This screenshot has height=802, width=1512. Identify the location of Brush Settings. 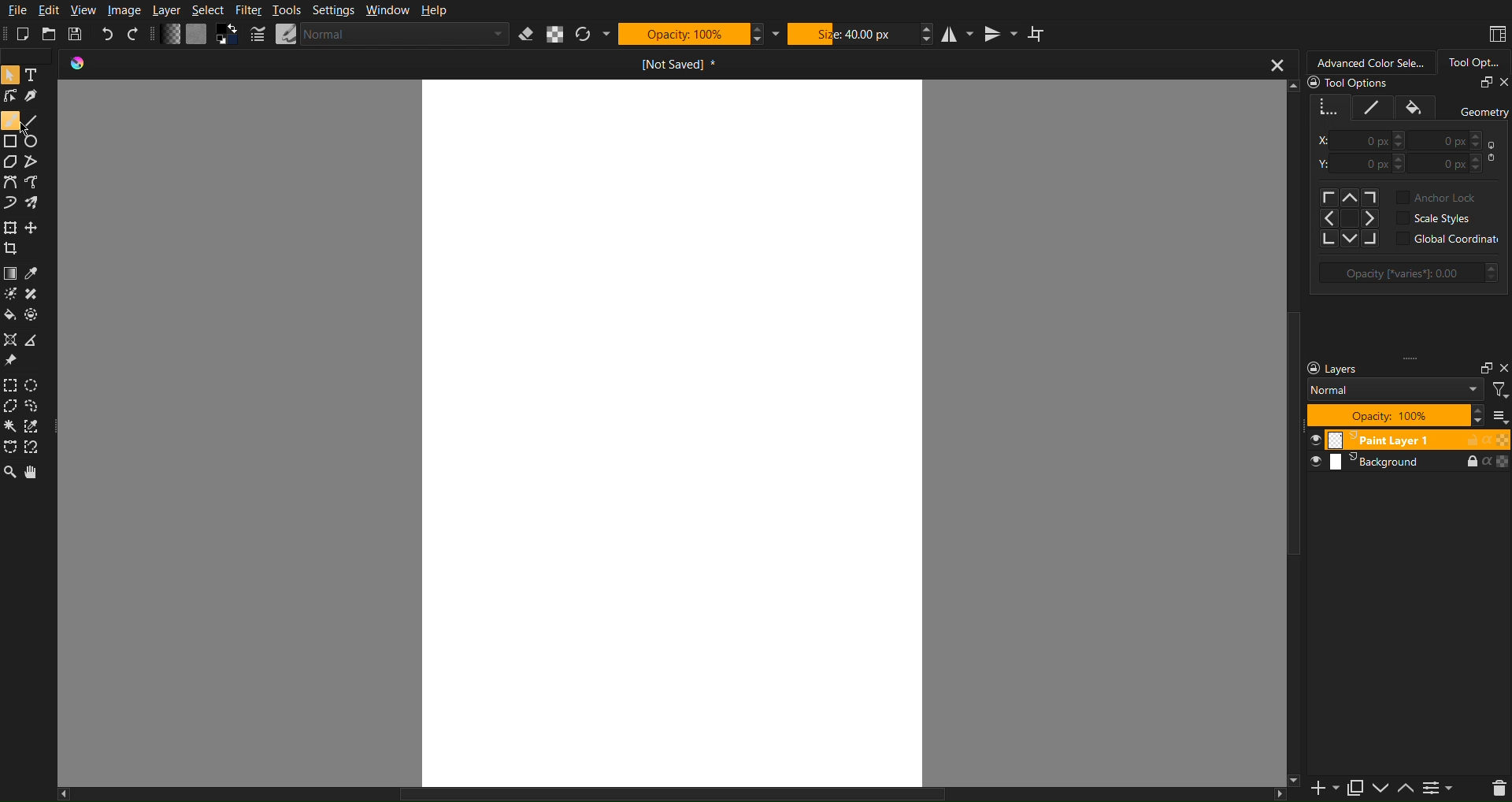
(393, 34).